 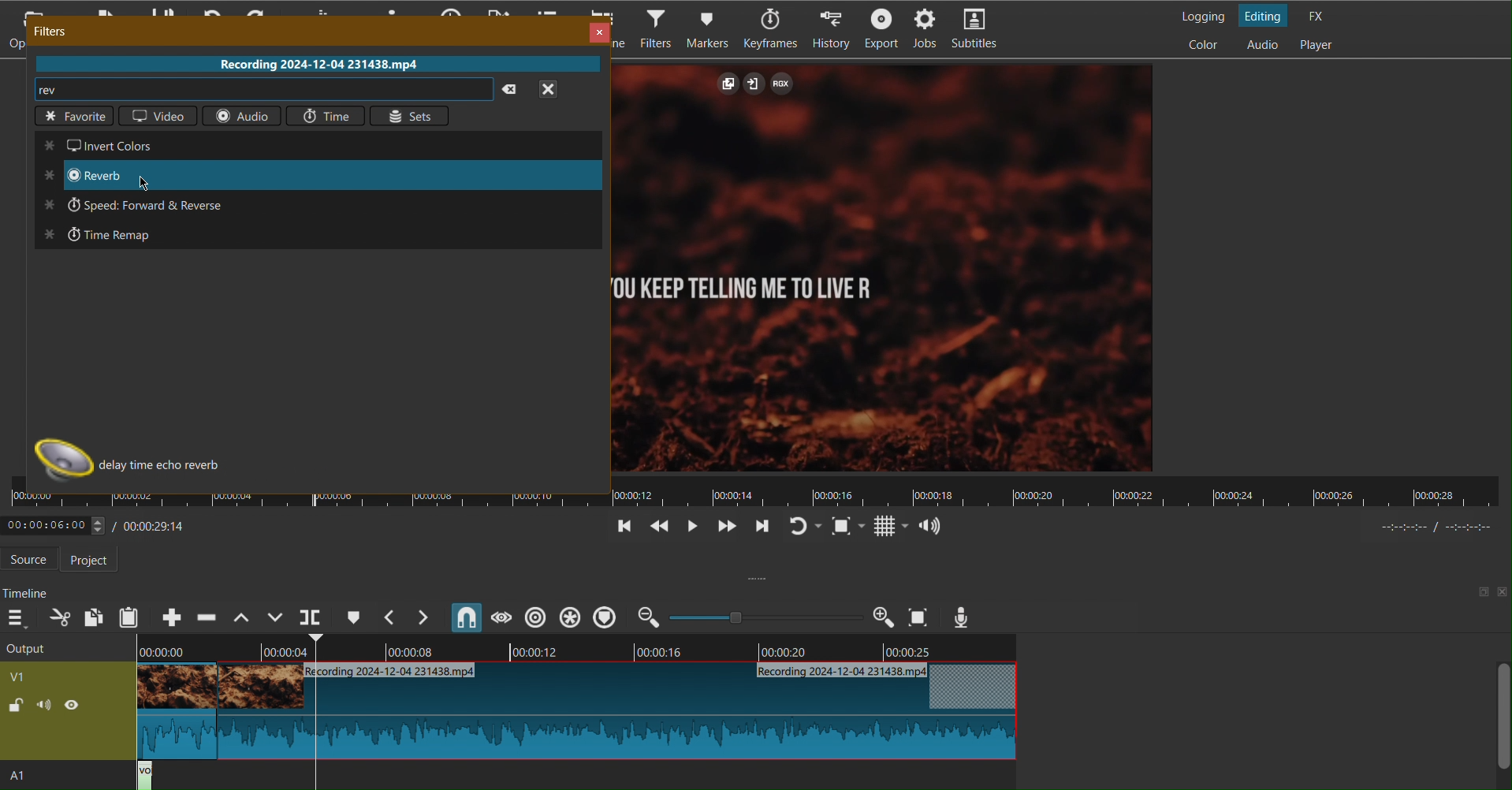 What do you see at coordinates (72, 117) in the screenshot?
I see `Favorite` at bounding box center [72, 117].